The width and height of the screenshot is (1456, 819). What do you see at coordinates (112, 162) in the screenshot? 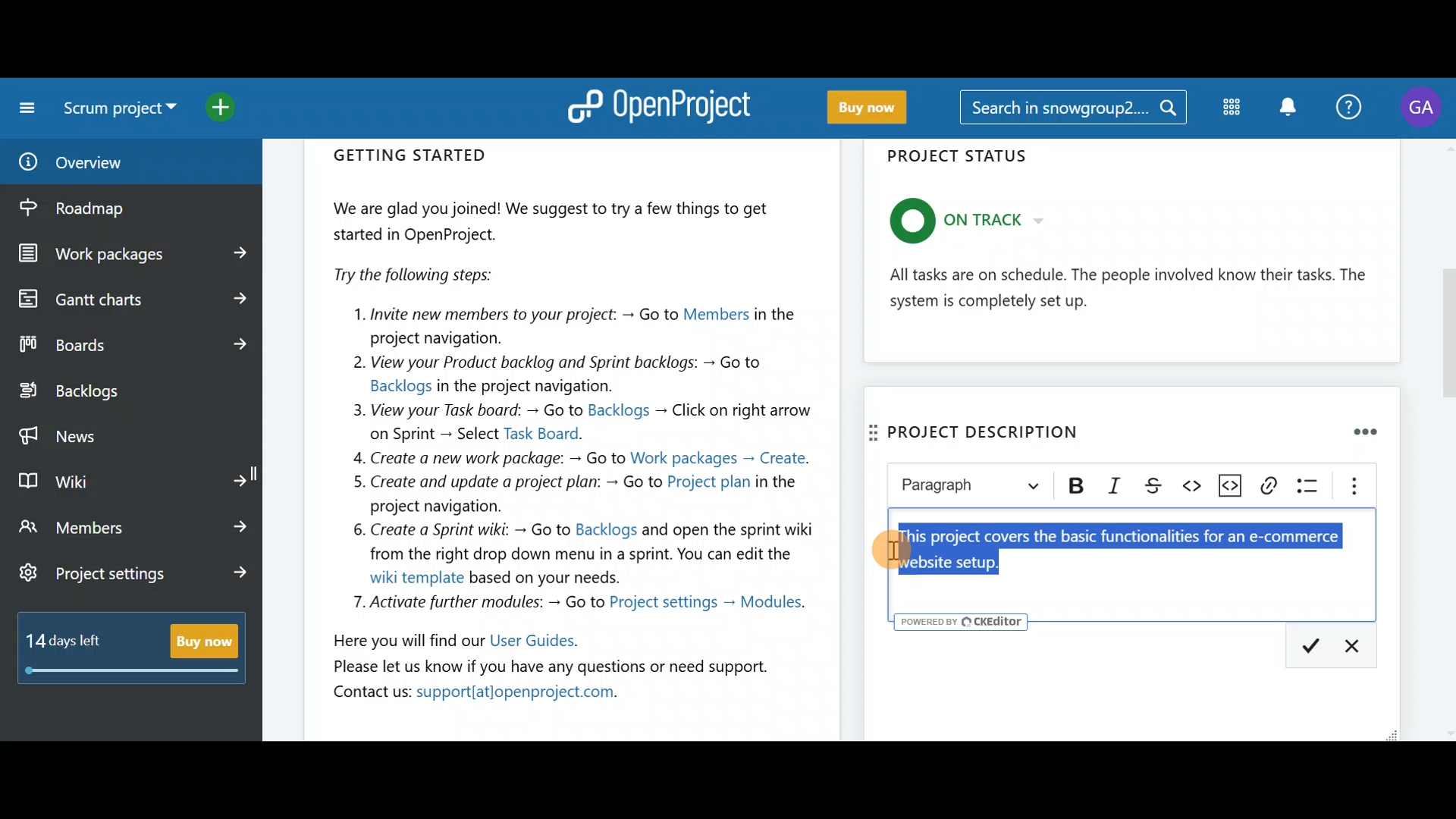
I see `Overview` at bounding box center [112, 162].